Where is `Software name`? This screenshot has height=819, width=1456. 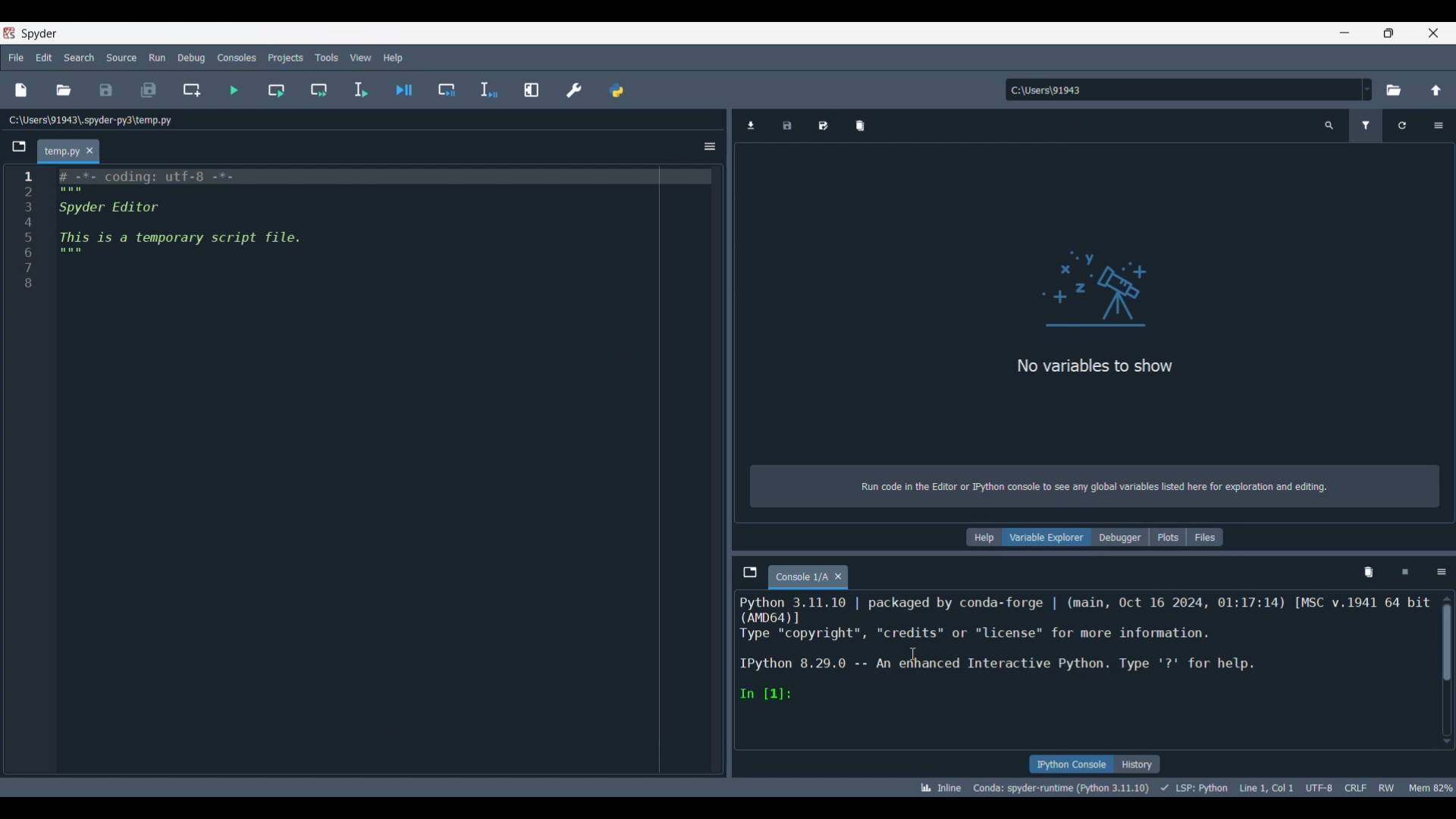 Software name is located at coordinates (39, 34).